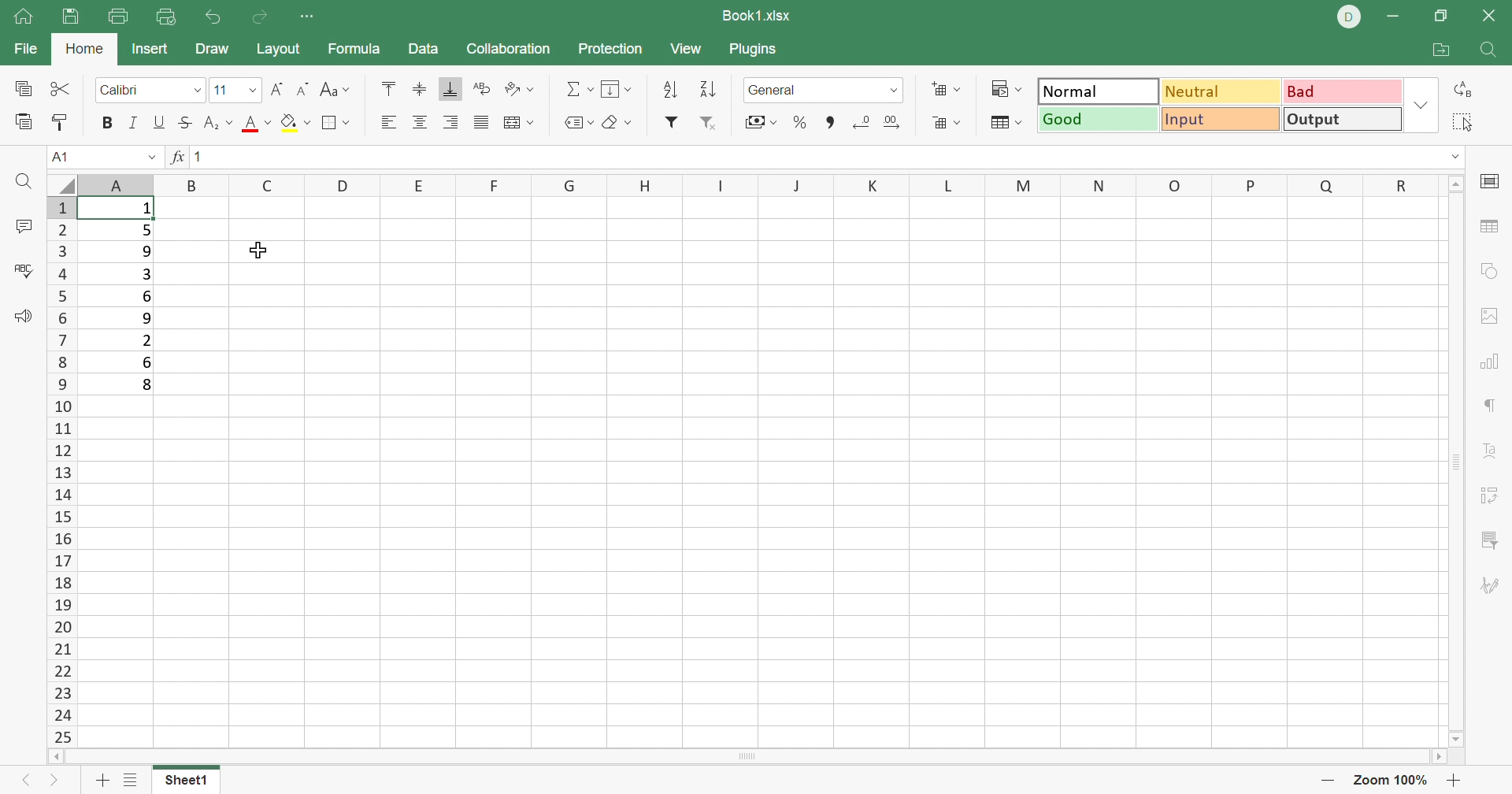  I want to click on Conditional formatting, so click(1008, 88).